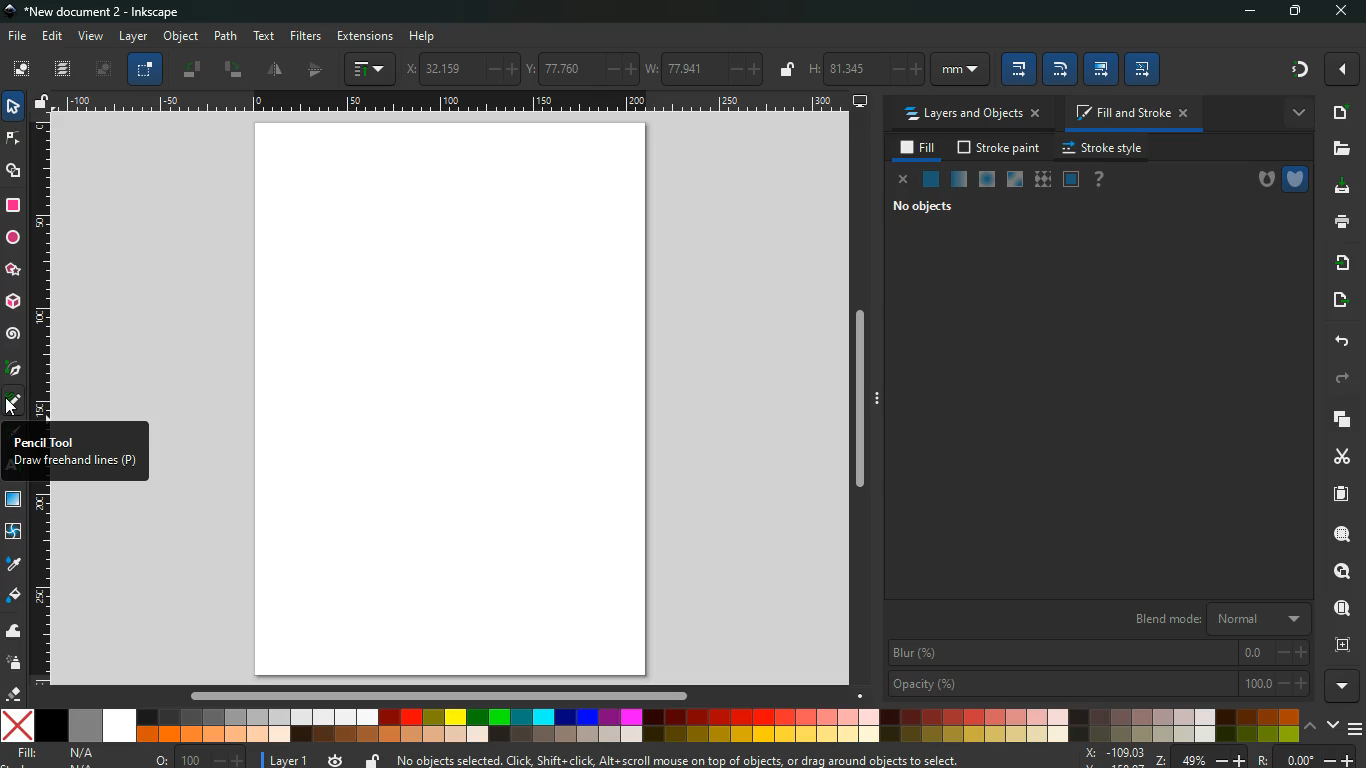 The width and height of the screenshot is (1366, 768). Describe the element at coordinates (13, 369) in the screenshot. I see `pic` at that location.